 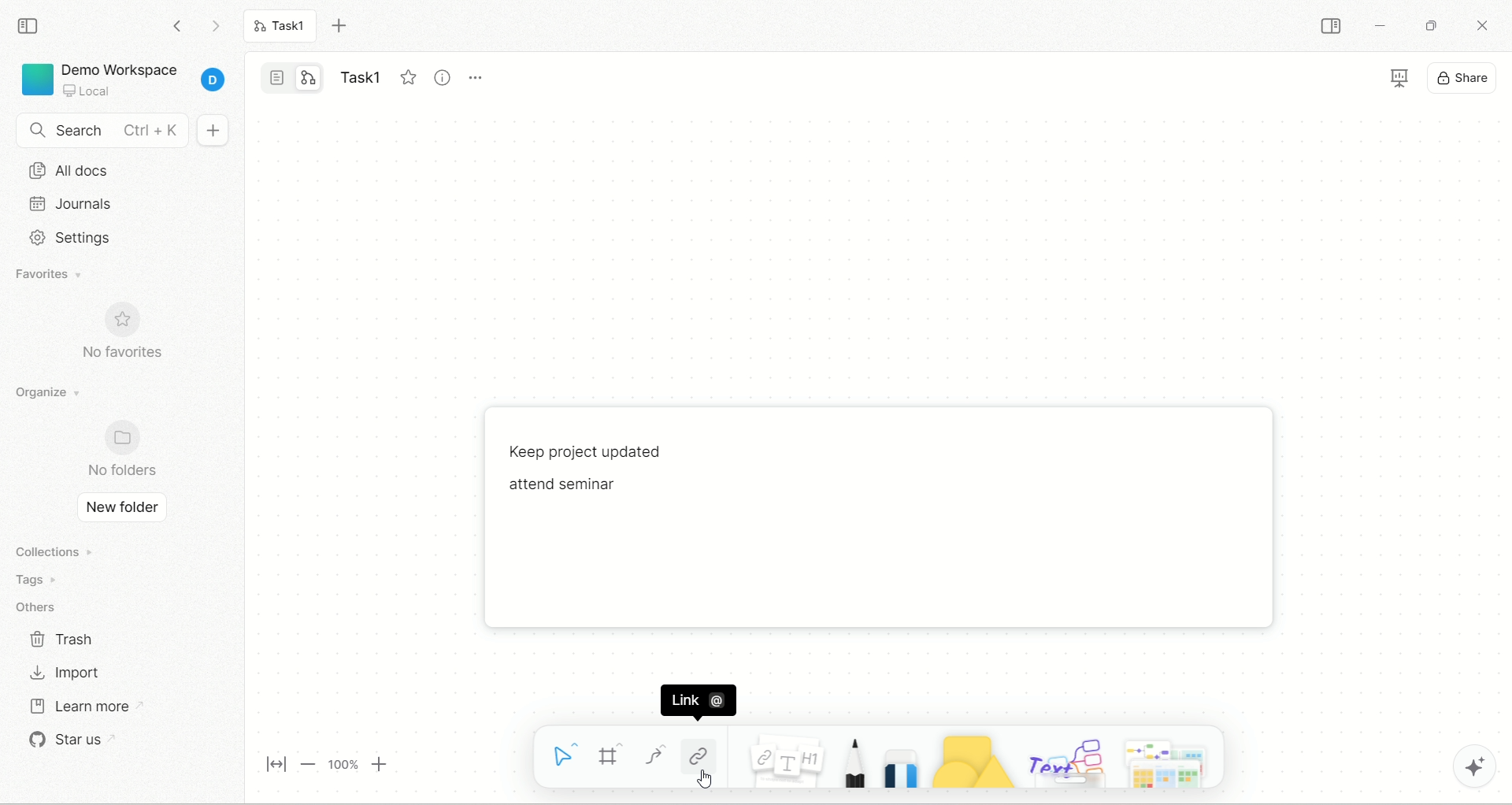 What do you see at coordinates (972, 762) in the screenshot?
I see `shapes` at bounding box center [972, 762].